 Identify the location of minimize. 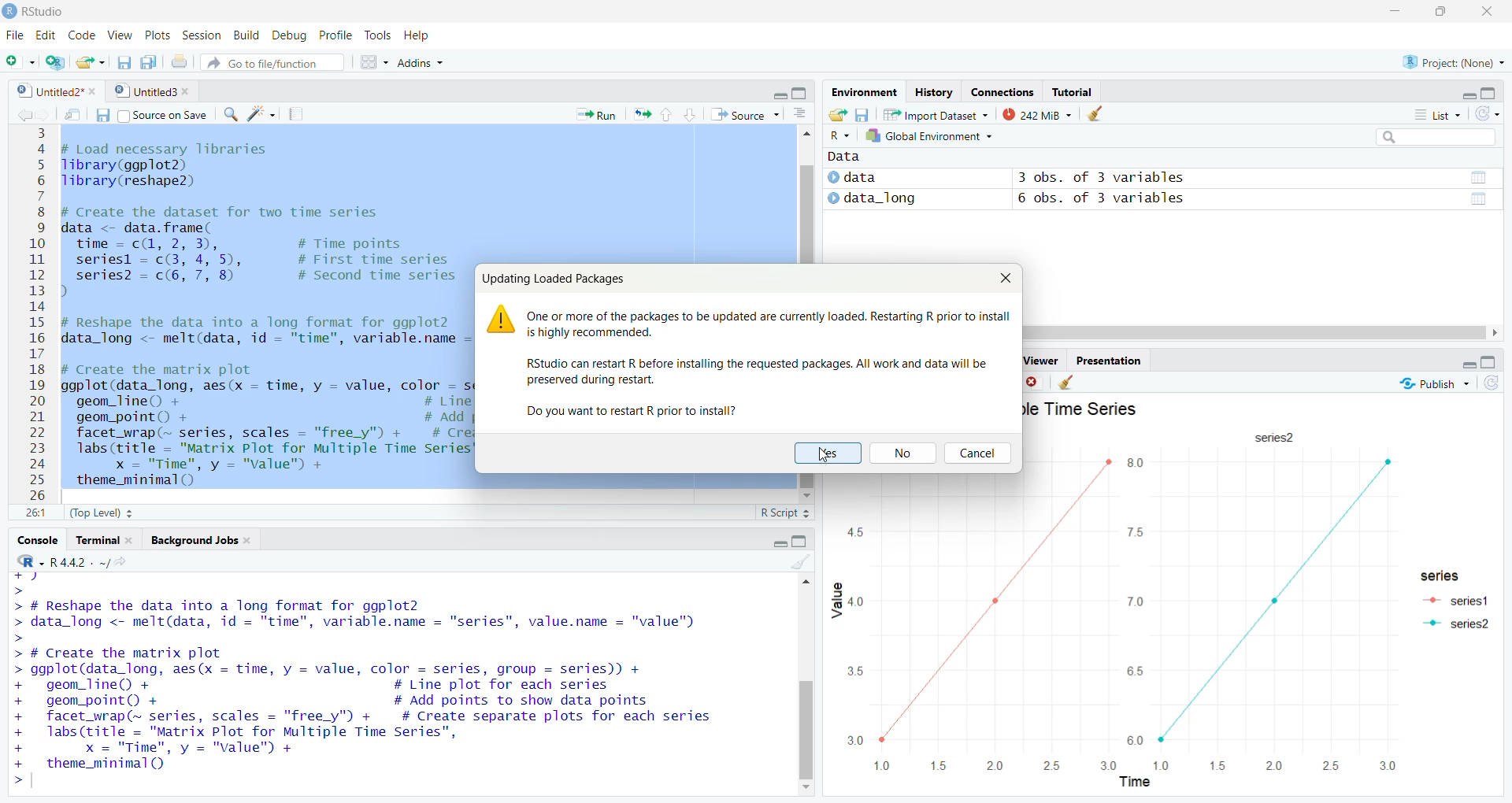
(1468, 364).